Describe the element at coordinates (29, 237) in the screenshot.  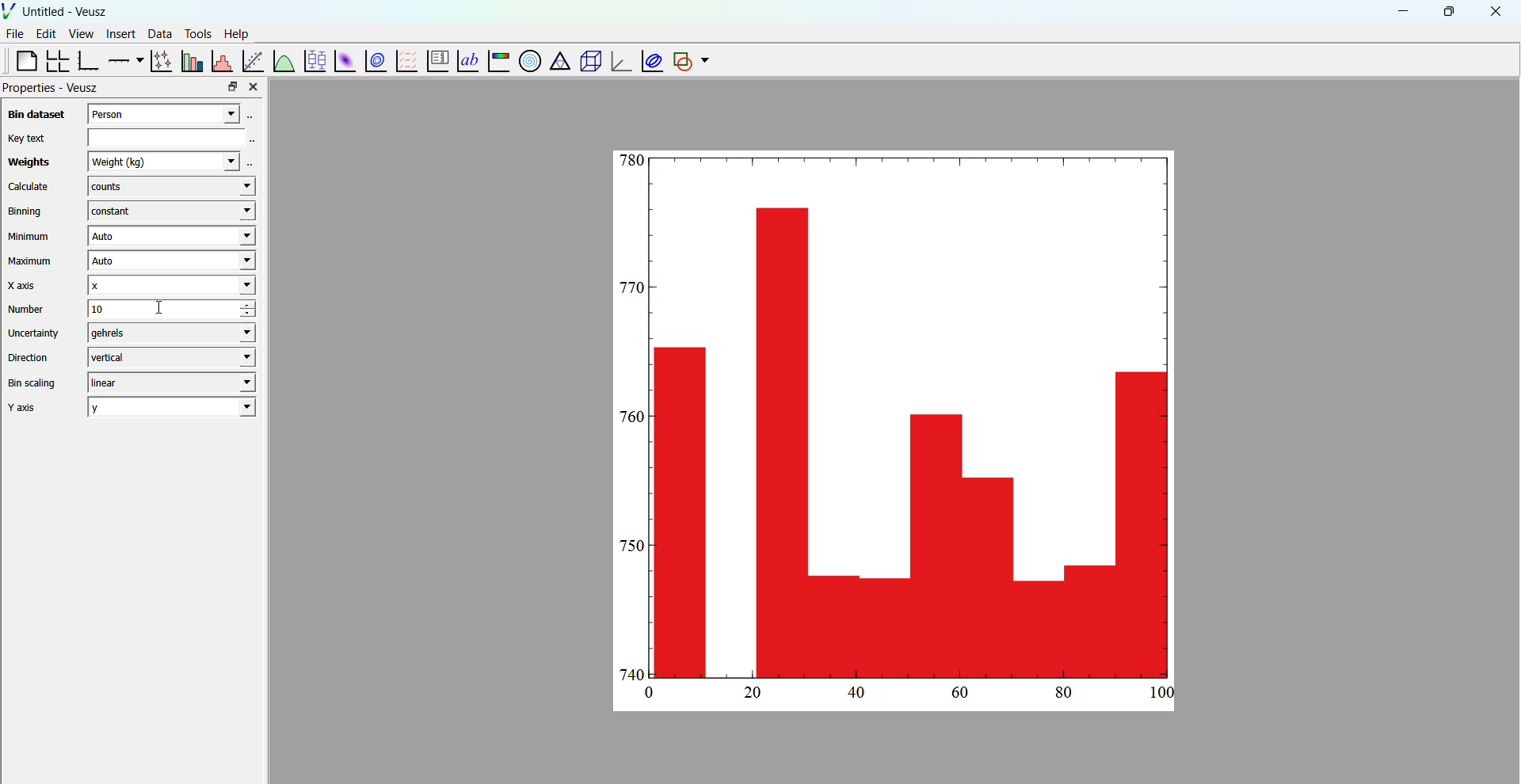
I see `Minimum` at that location.